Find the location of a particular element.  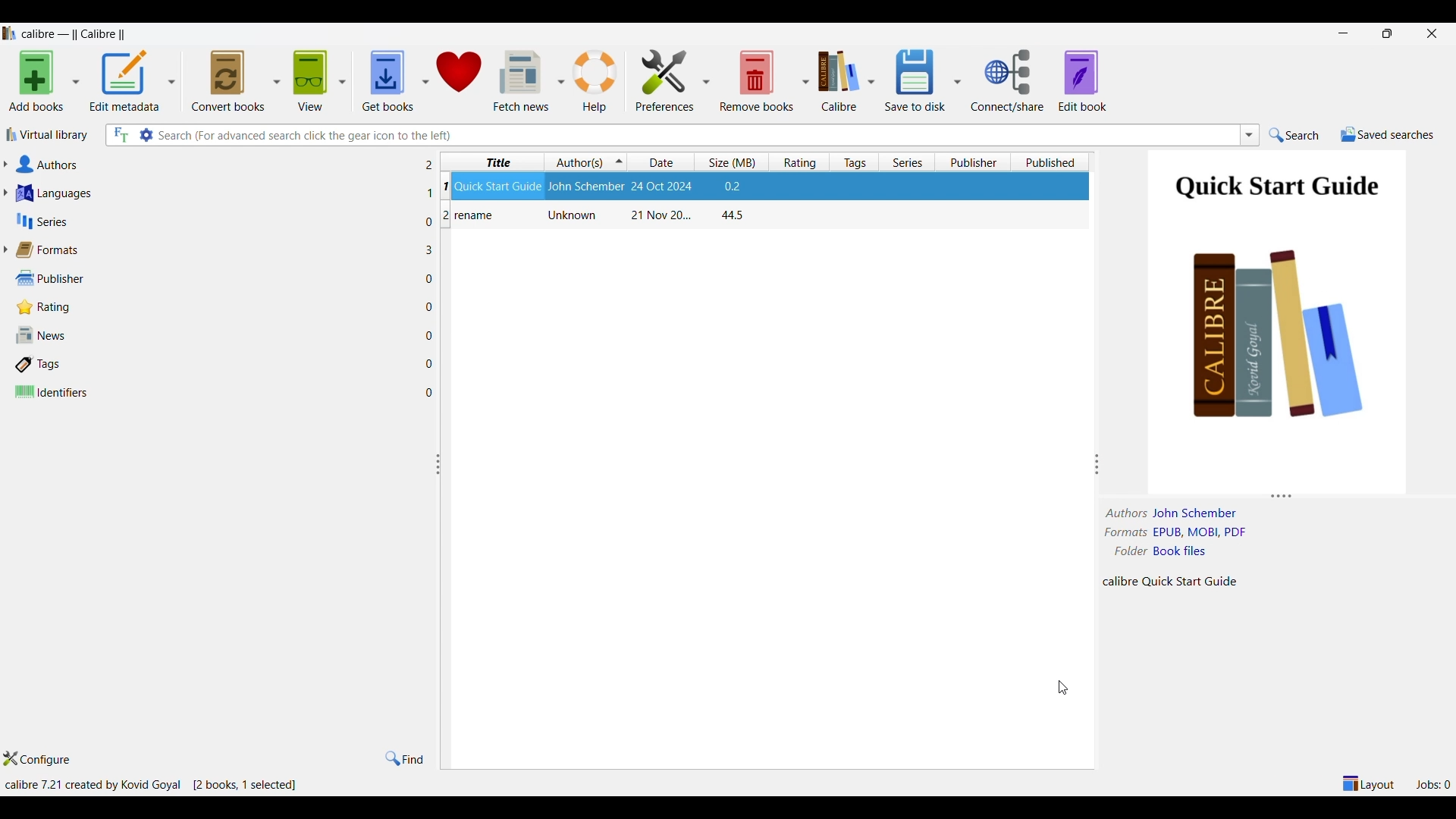

Close interface is located at coordinates (1432, 34).